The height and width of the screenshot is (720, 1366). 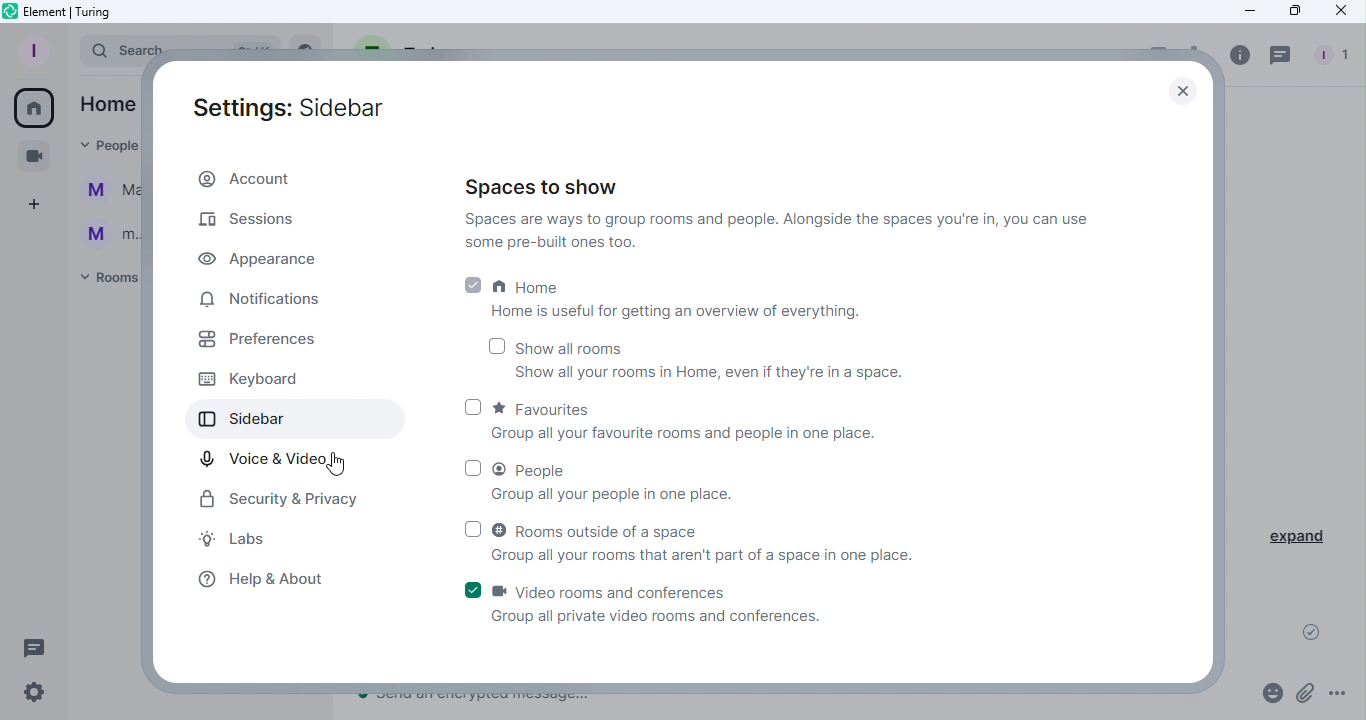 I want to click on Sidebar, so click(x=281, y=421).